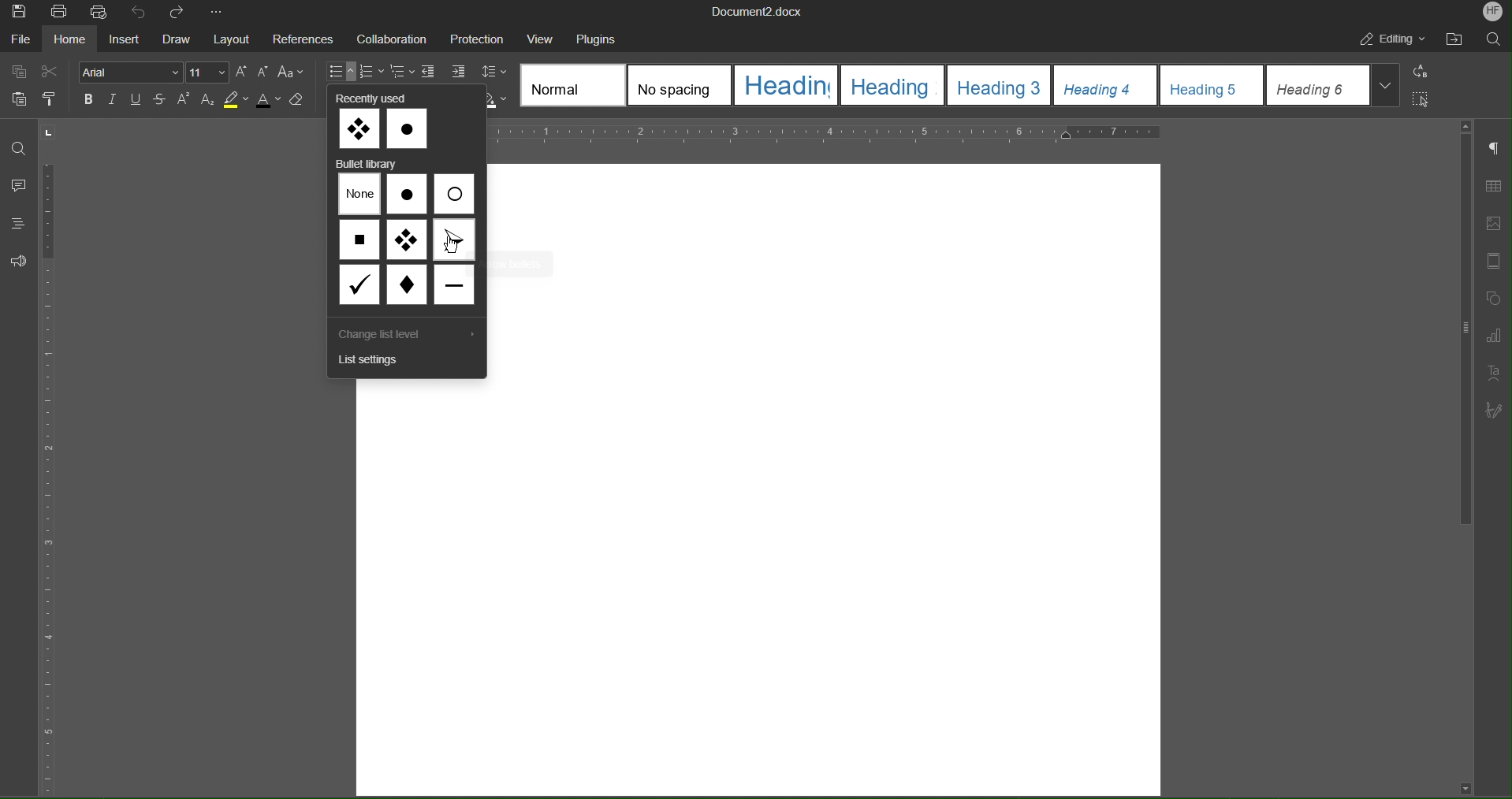  What do you see at coordinates (242, 71) in the screenshot?
I see `Increase Size` at bounding box center [242, 71].